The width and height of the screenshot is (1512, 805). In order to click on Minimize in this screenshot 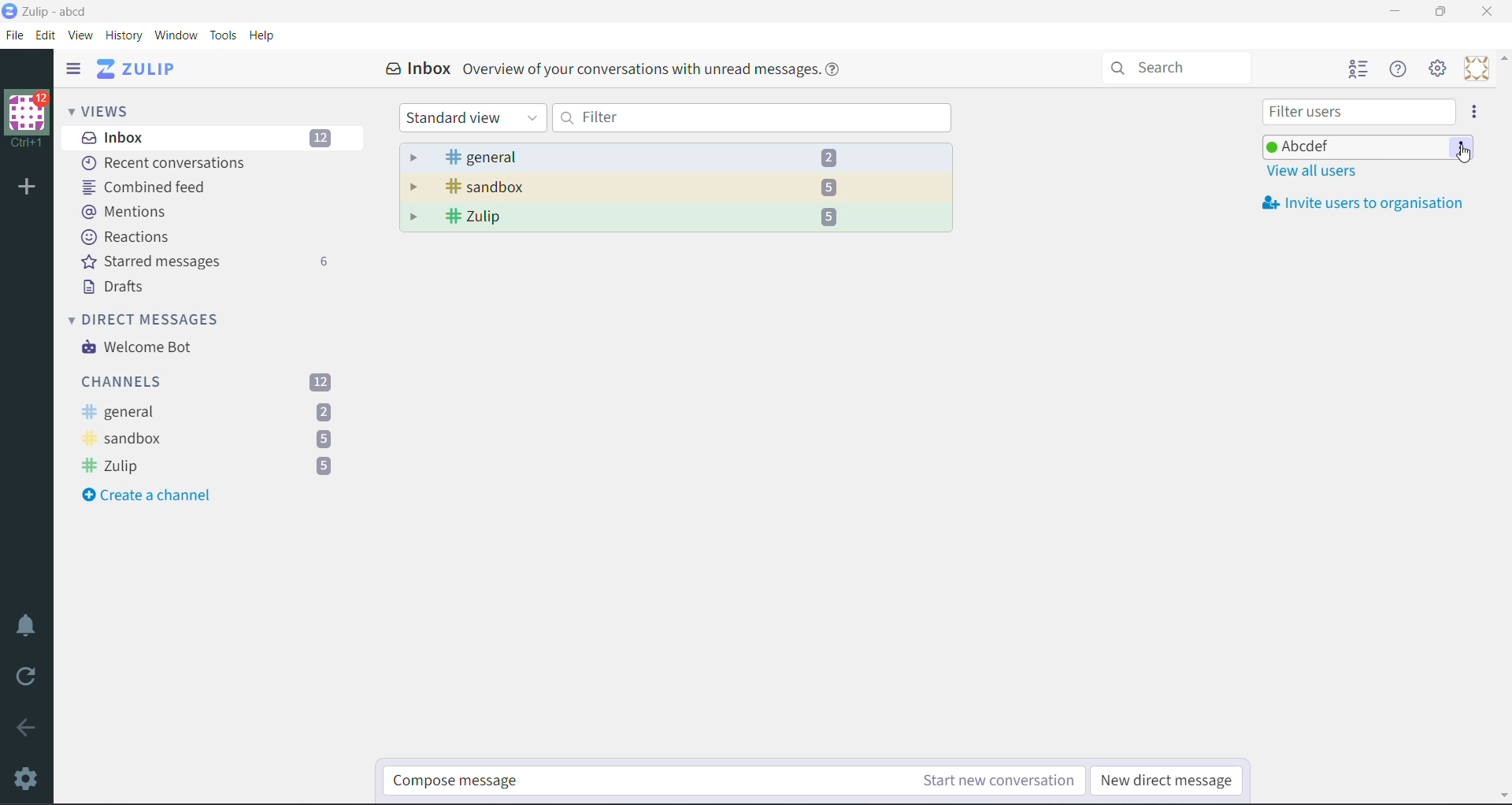, I will do `click(1393, 10)`.